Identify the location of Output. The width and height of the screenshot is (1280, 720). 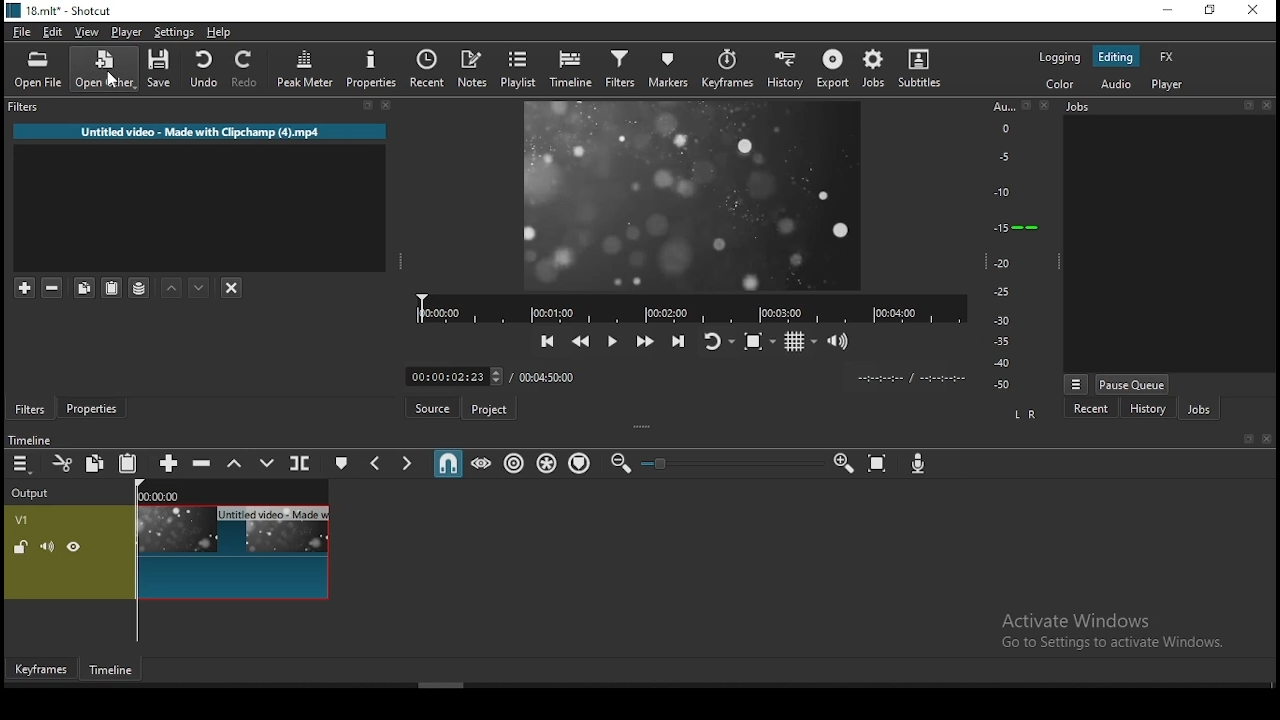
(35, 493).